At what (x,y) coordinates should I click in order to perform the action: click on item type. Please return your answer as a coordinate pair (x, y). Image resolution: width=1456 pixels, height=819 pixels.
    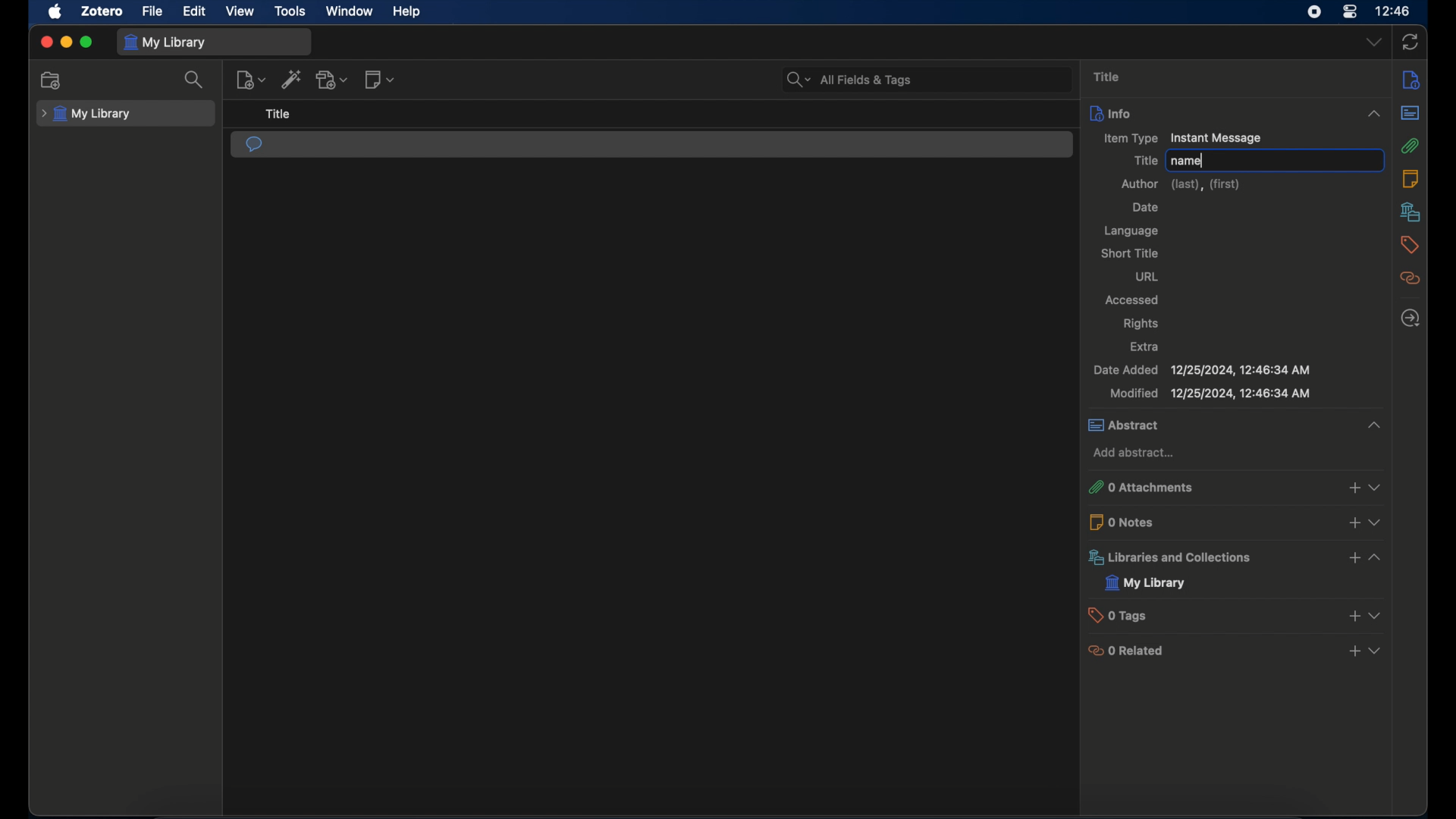
    Looking at the image, I should click on (1180, 139).